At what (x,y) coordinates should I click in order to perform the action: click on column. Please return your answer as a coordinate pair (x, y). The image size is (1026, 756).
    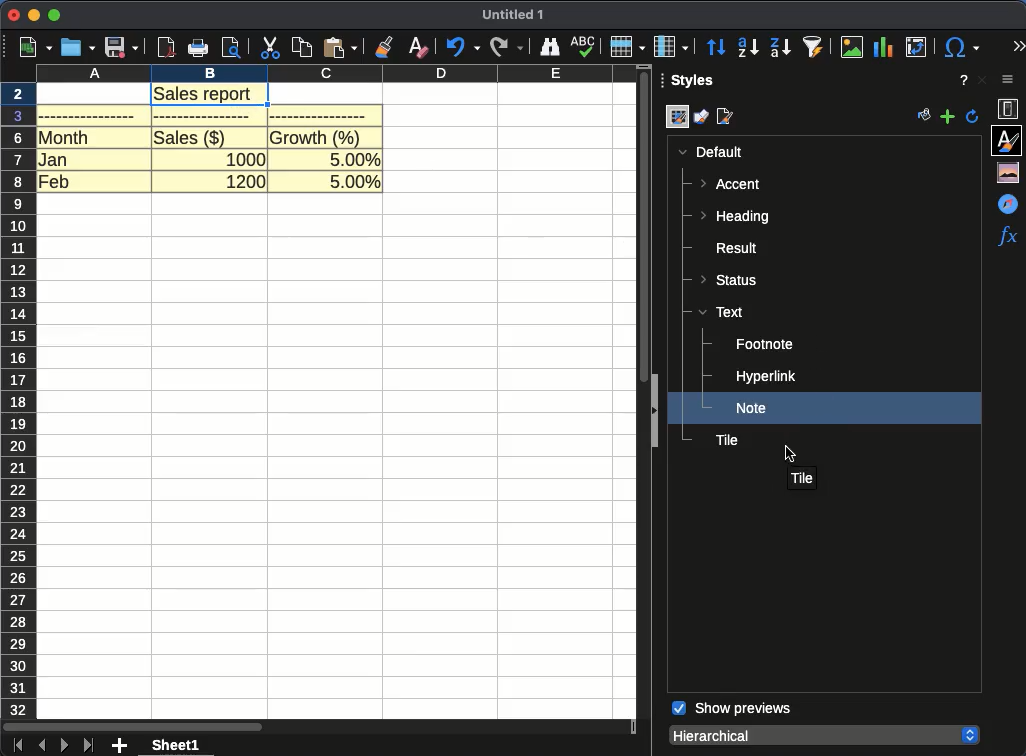
    Looking at the image, I should click on (338, 75).